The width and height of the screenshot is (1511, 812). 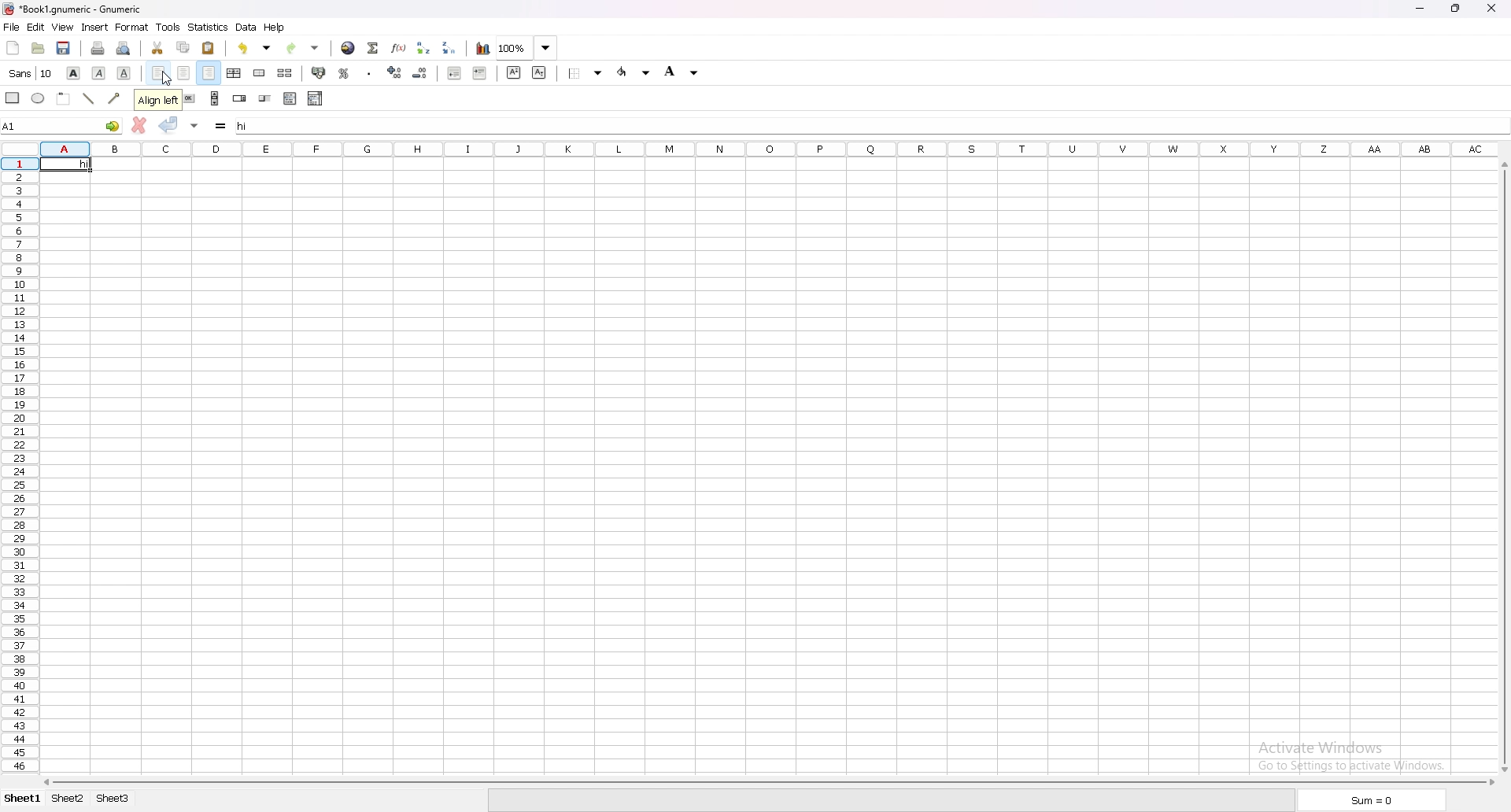 What do you see at coordinates (320, 72) in the screenshot?
I see `accounting` at bounding box center [320, 72].